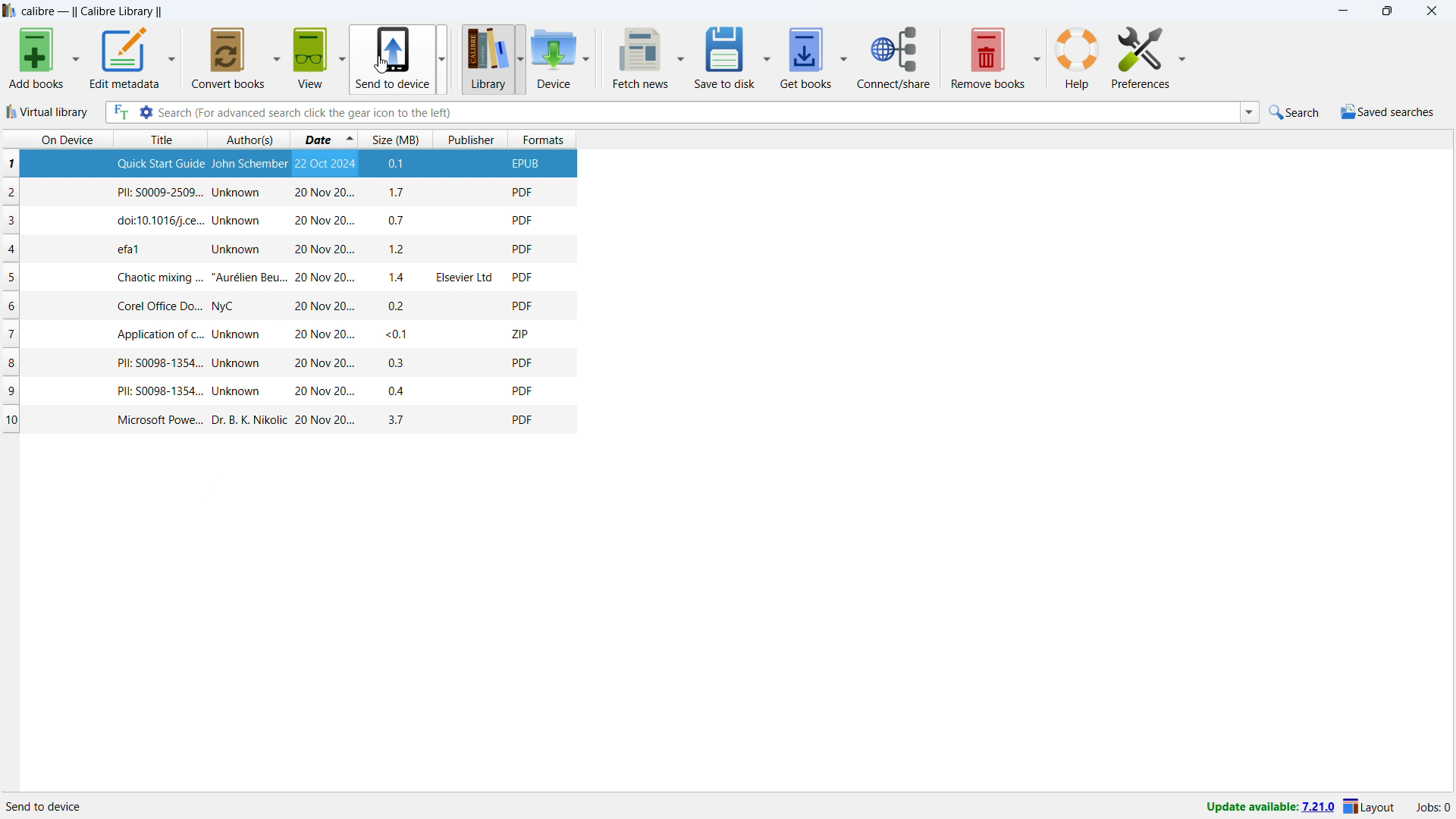 The height and width of the screenshot is (819, 1456). I want to click on sort by size, so click(395, 139).